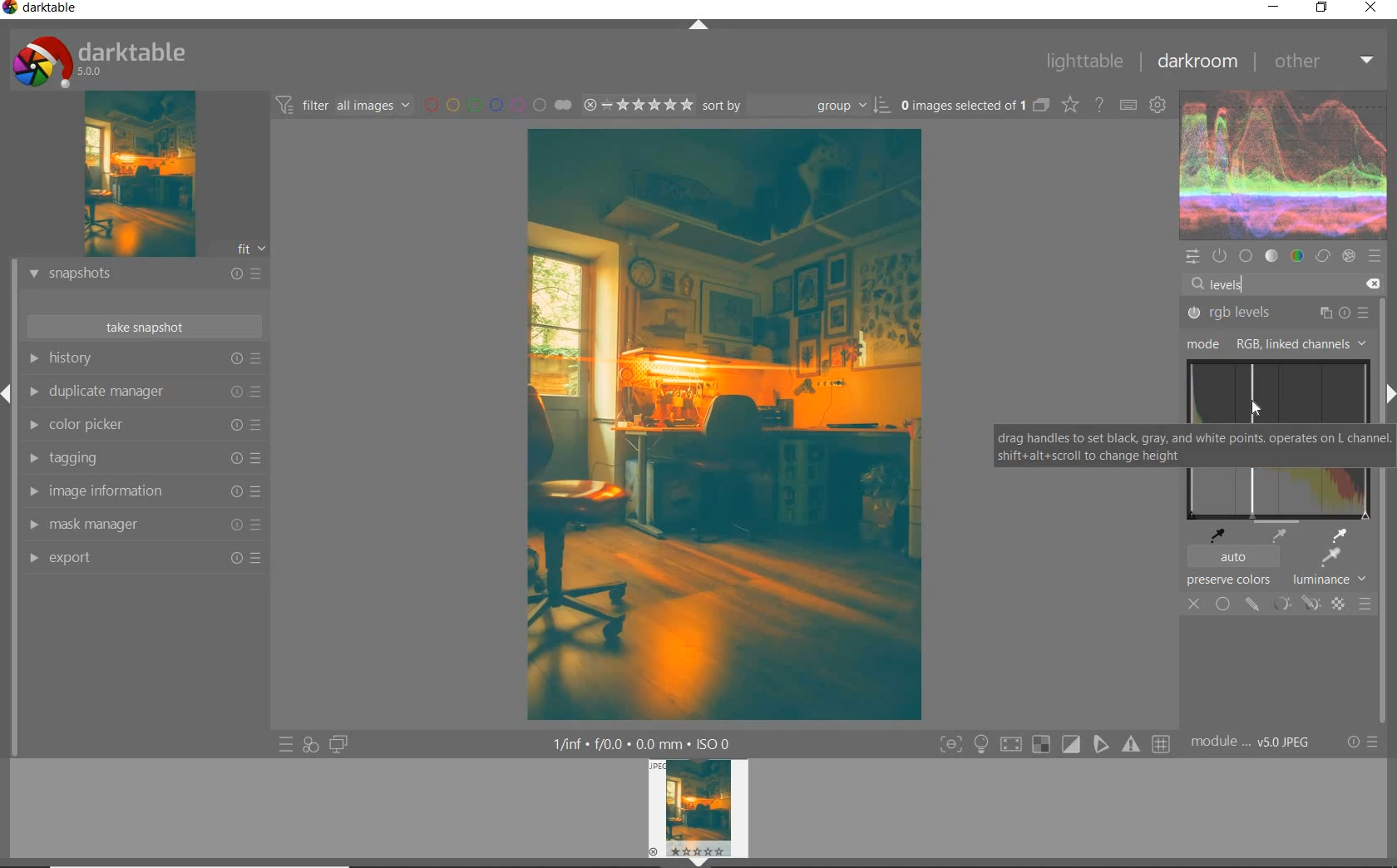 The width and height of the screenshot is (1397, 868). I want to click on other, so click(1323, 62).